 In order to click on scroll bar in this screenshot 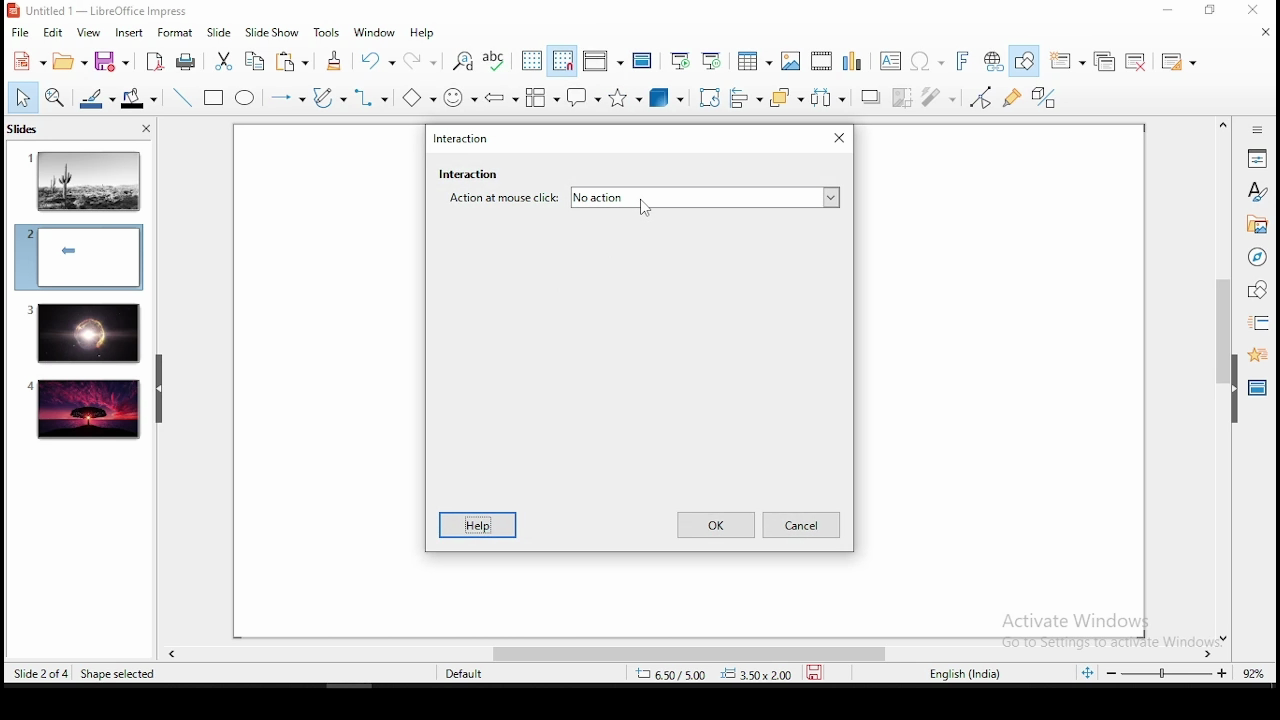, I will do `click(1220, 380)`.